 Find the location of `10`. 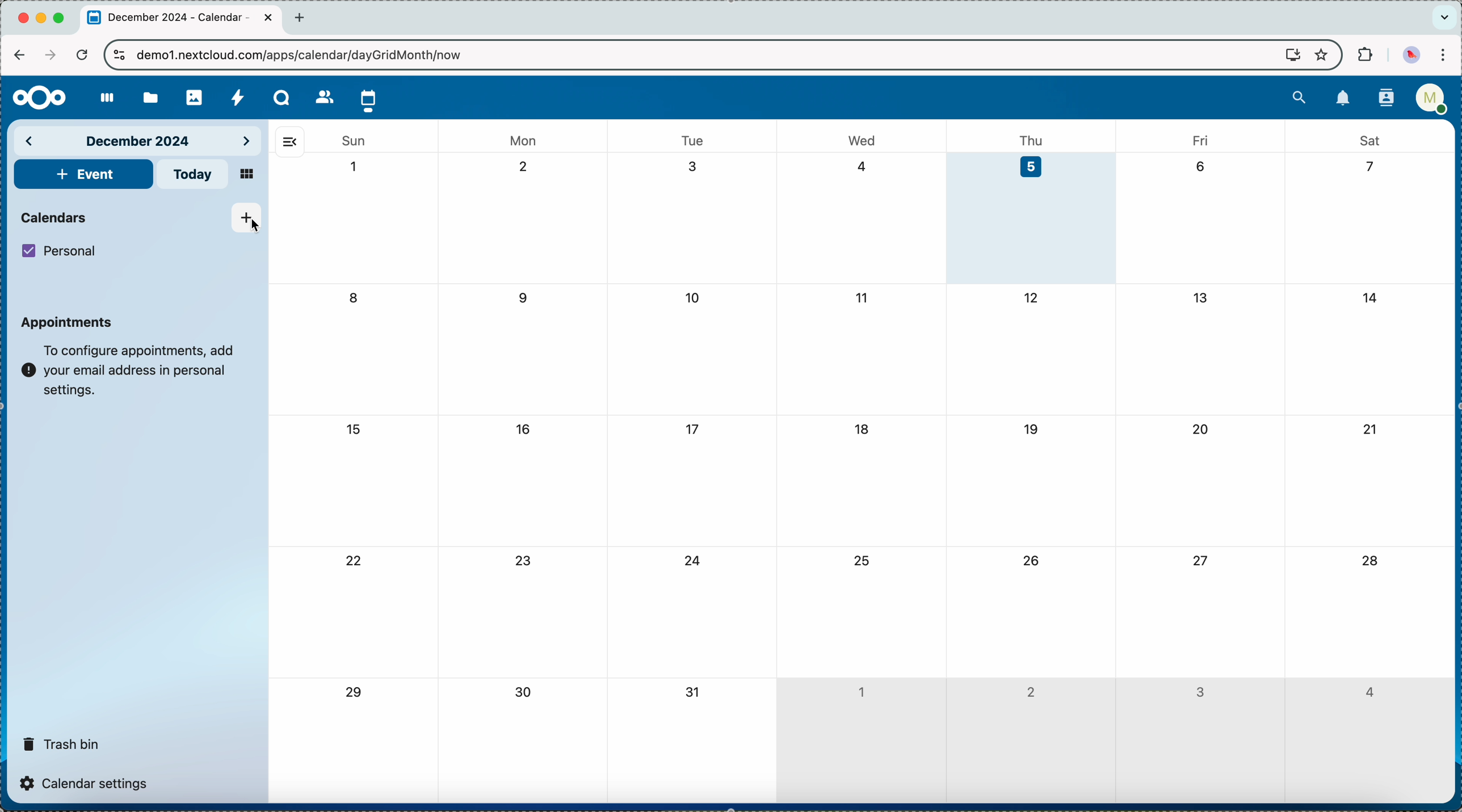

10 is located at coordinates (694, 299).